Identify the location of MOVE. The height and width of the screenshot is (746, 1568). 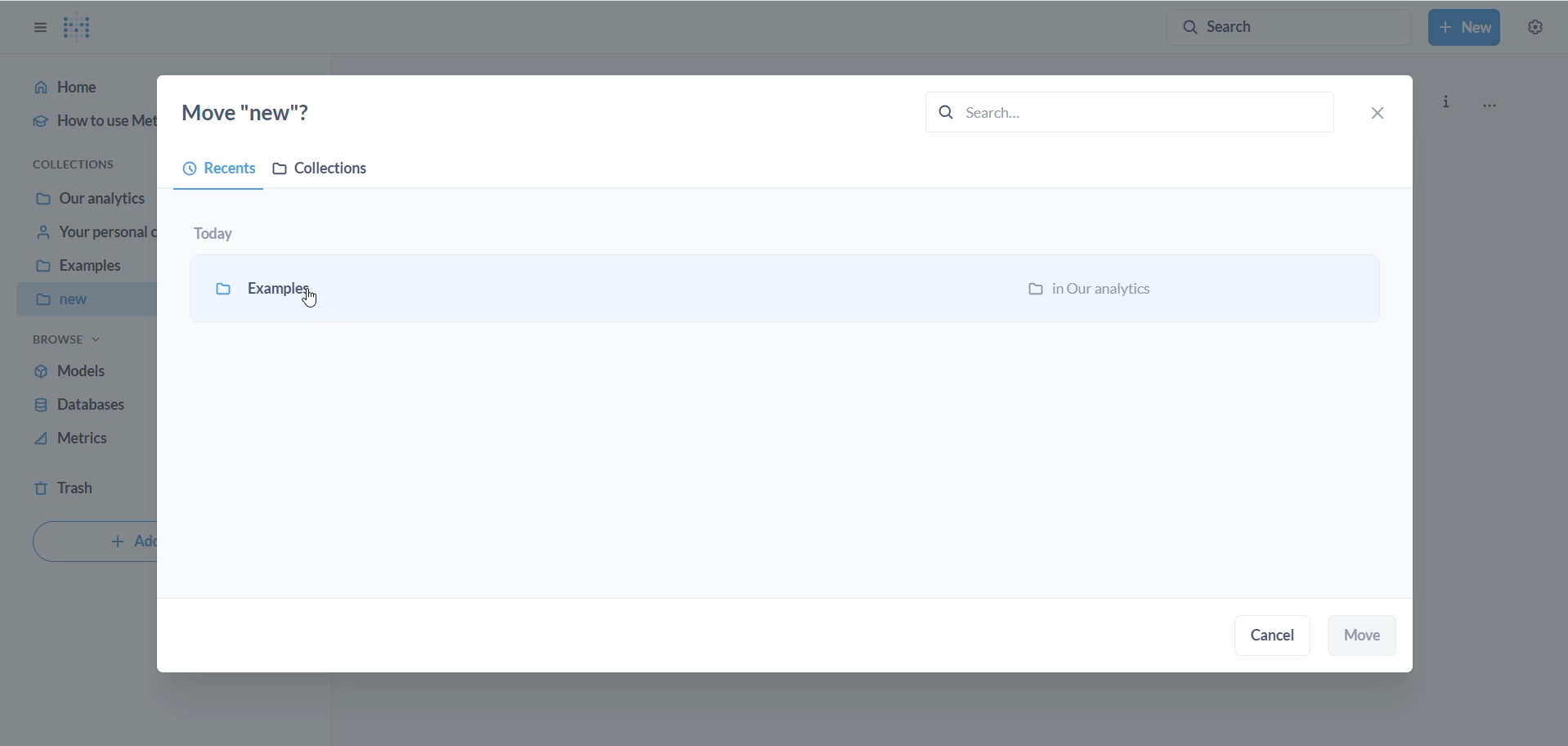
(1366, 636).